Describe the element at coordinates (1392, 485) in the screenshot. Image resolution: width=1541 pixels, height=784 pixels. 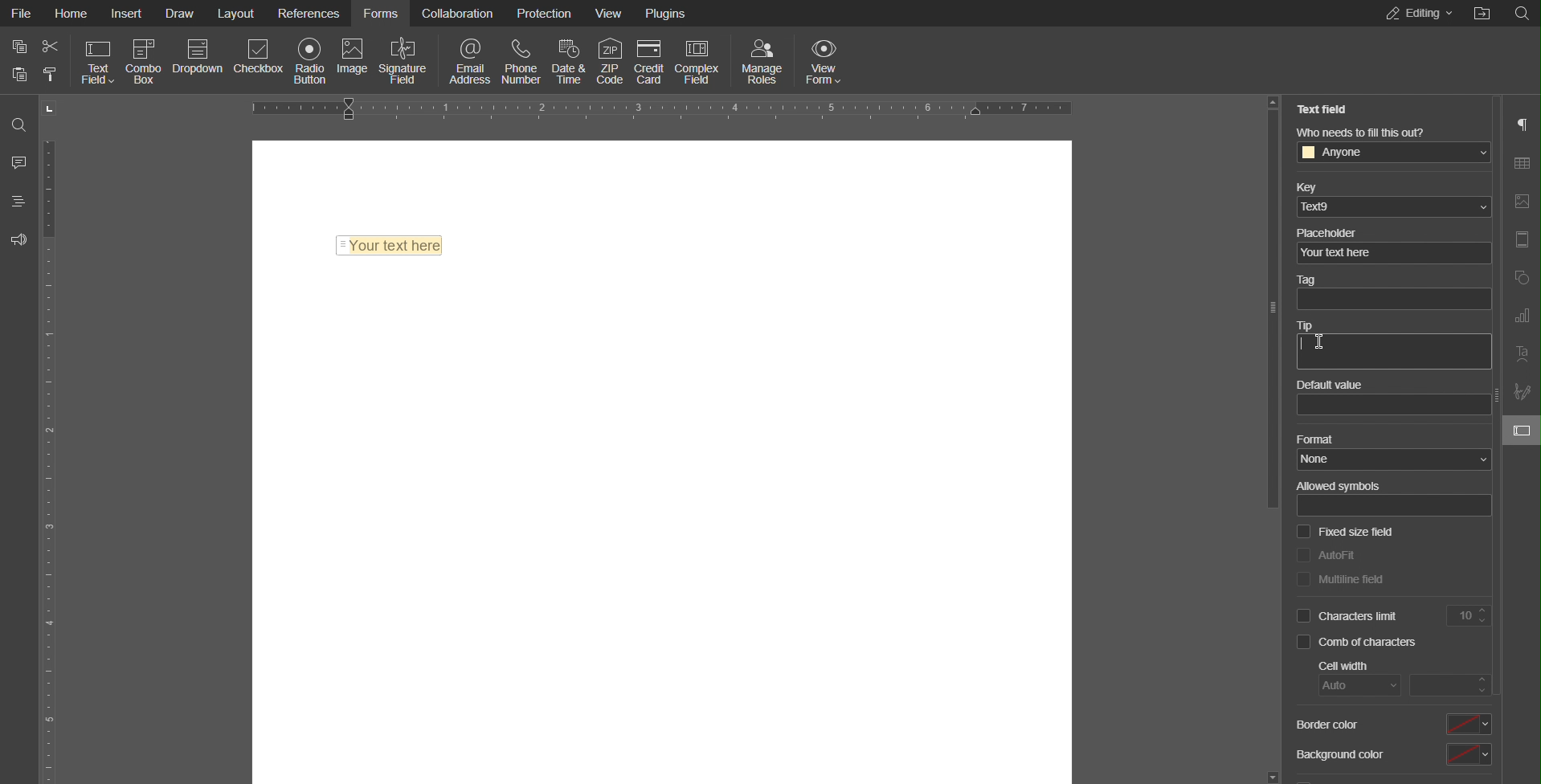
I see `Allowed symbols` at that location.